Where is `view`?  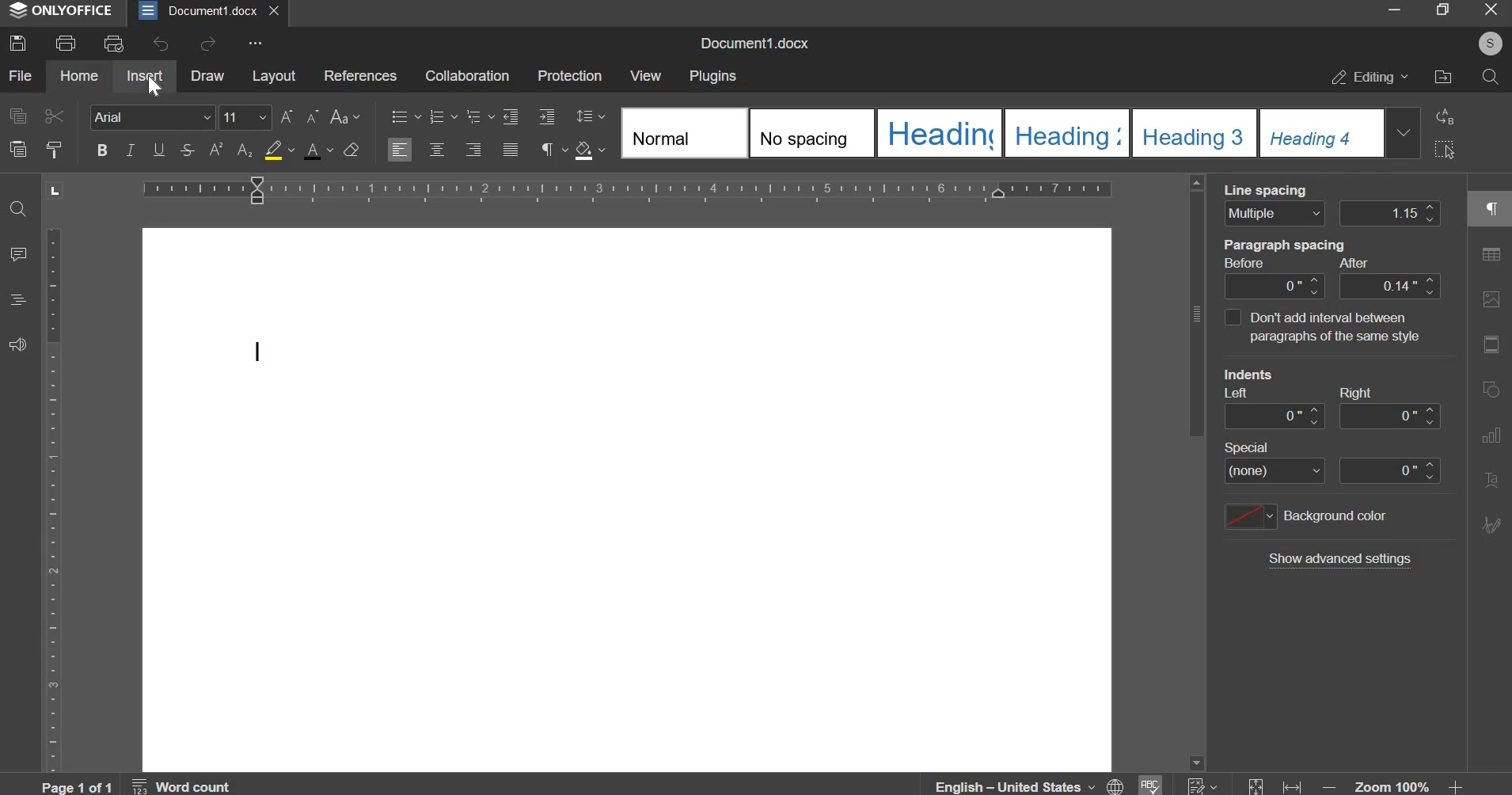
view is located at coordinates (647, 75).